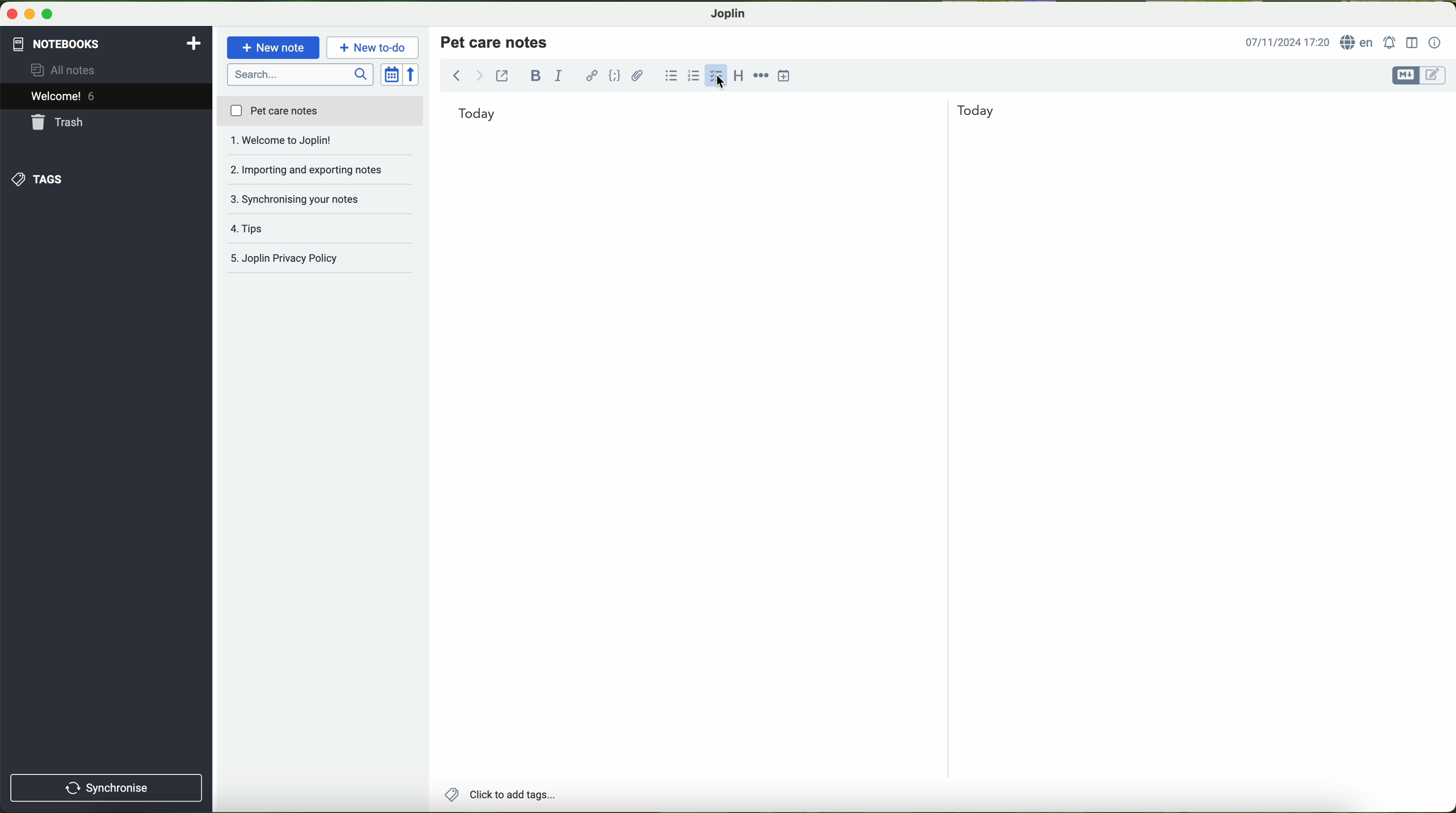  What do you see at coordinates (638, 75) in the screenshot?
I see `attach file` at bounding box center [638, 75].